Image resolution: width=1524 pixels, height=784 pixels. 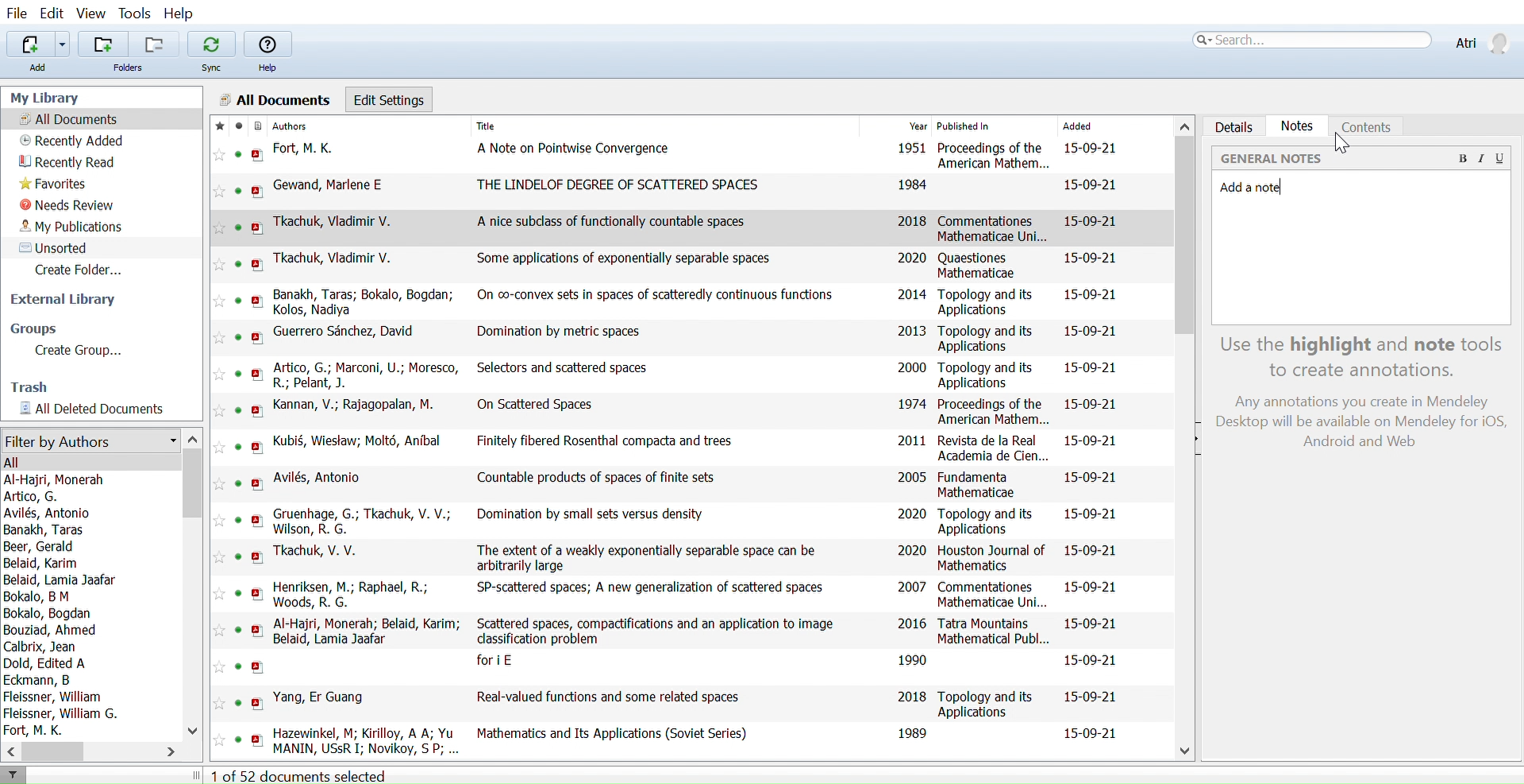 What do you see at coordinates (912, 440) in the screenshot?
I see `2011` at bounding box center [912, 440].